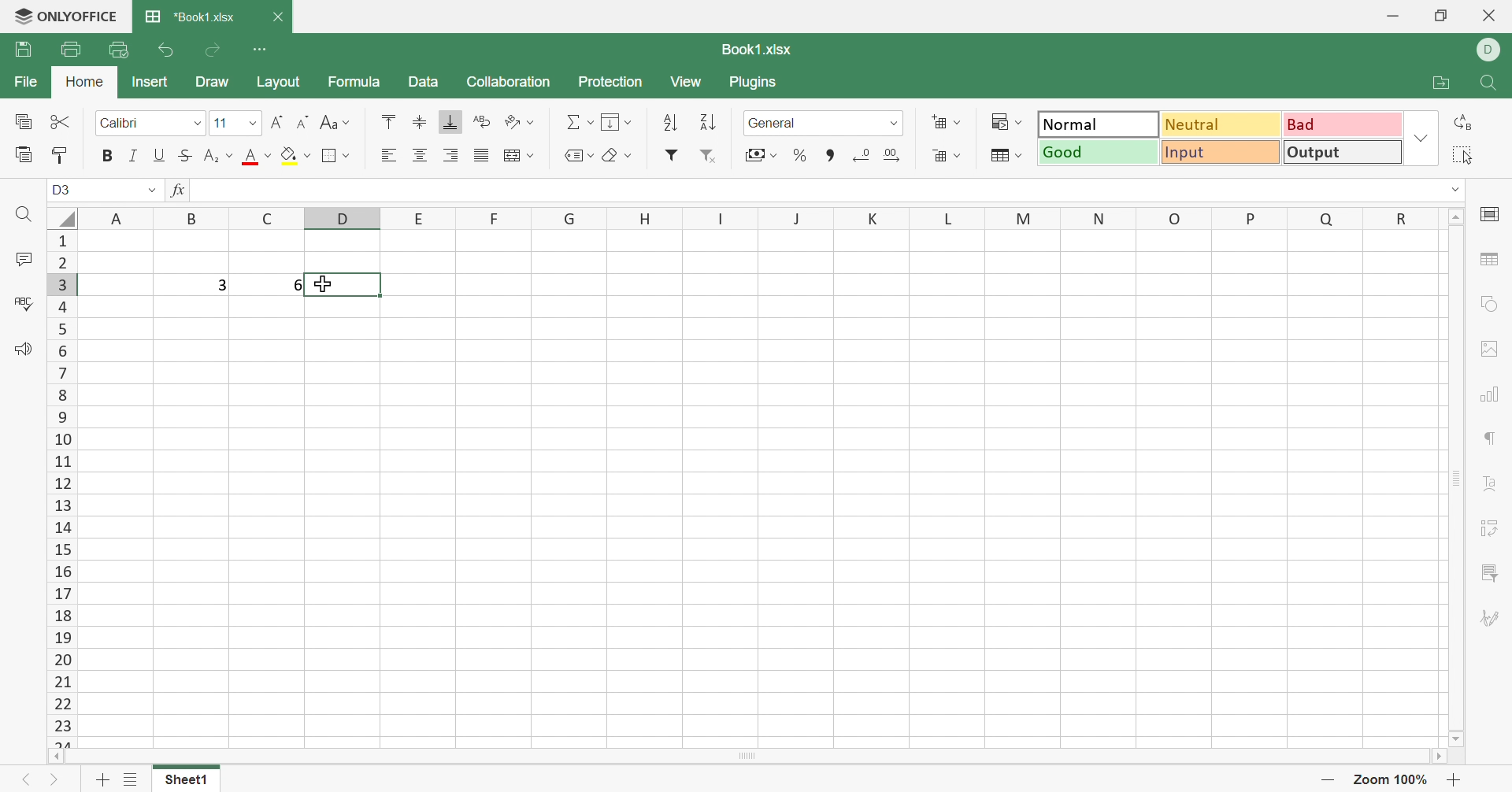  What do you see at coordinates (277, 17) in the screenshot?
I see `Close` at bounding box center [277, 17].